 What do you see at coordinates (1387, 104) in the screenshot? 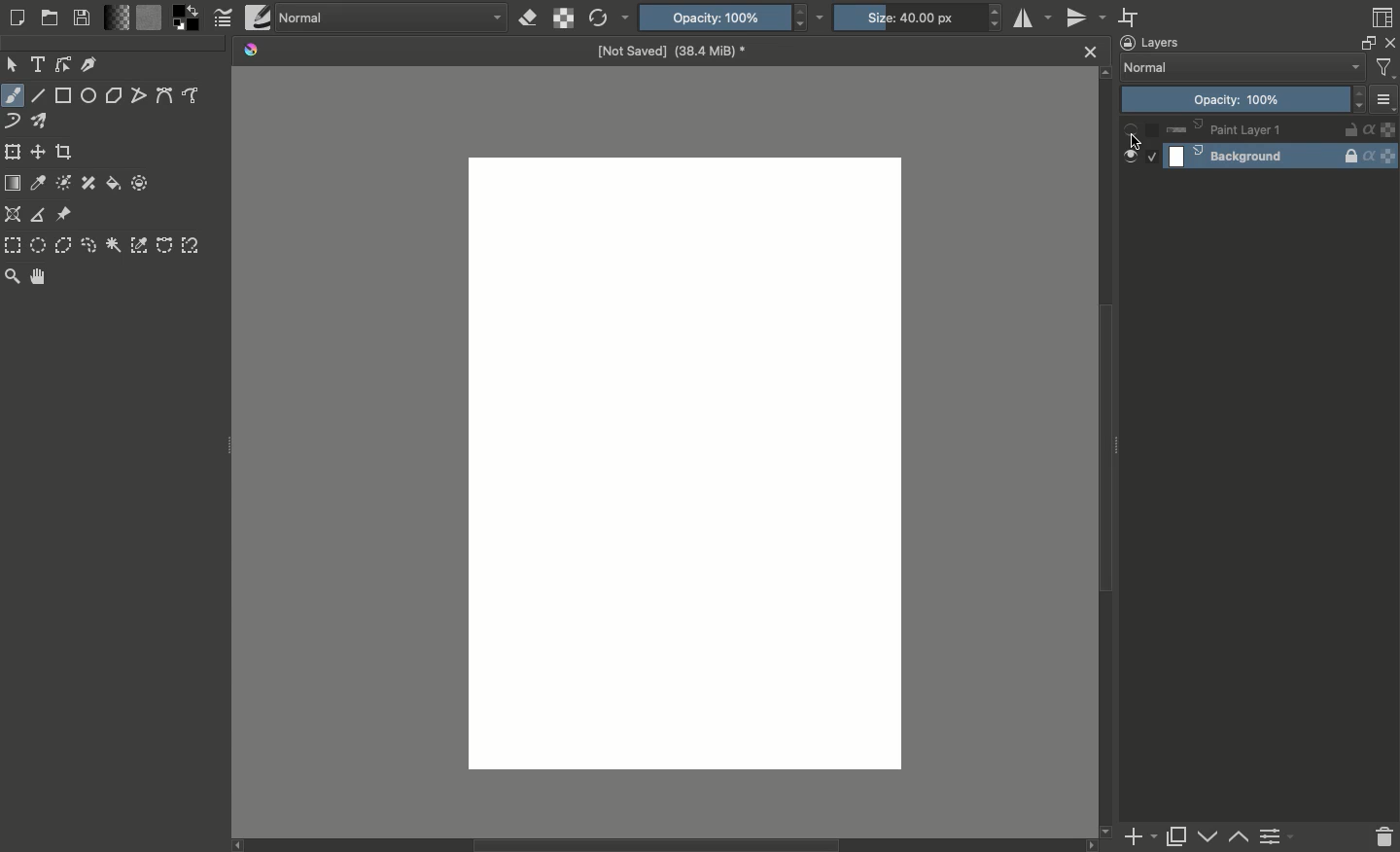
I see `Thumbnail` at bounding box center [1387, 104].